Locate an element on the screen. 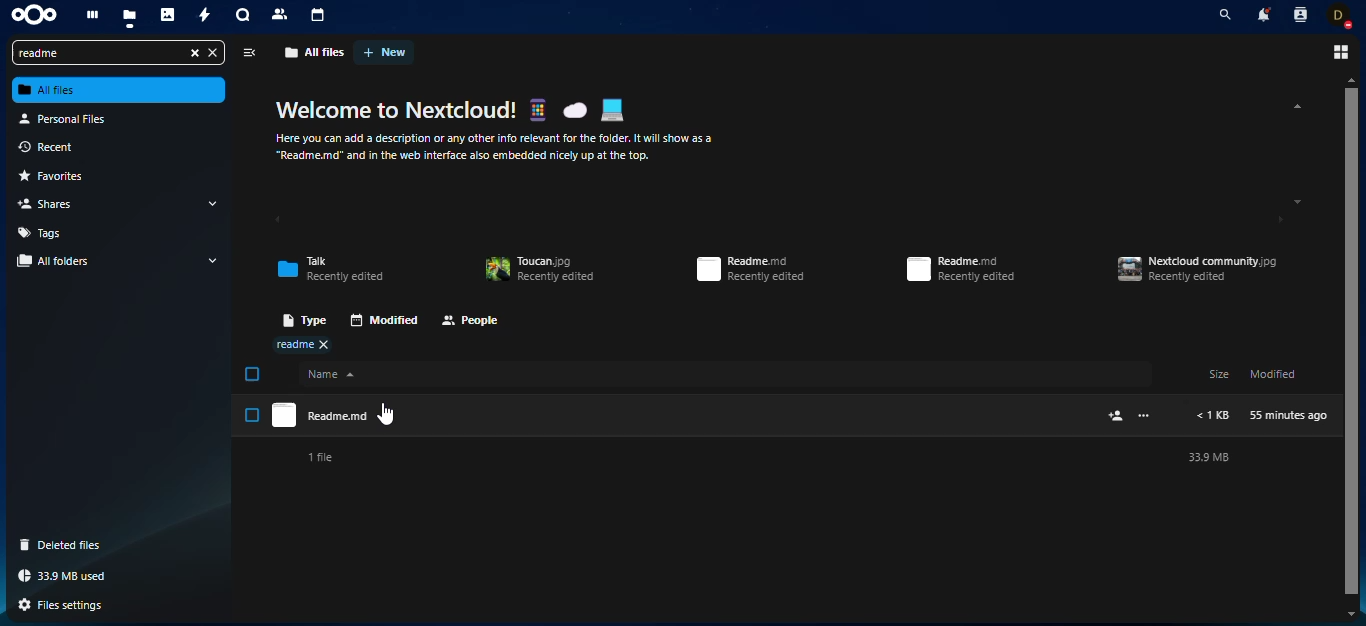 This screenshot has height=626, width=1366. Cloud emoji is located at coordinates (574, 110).